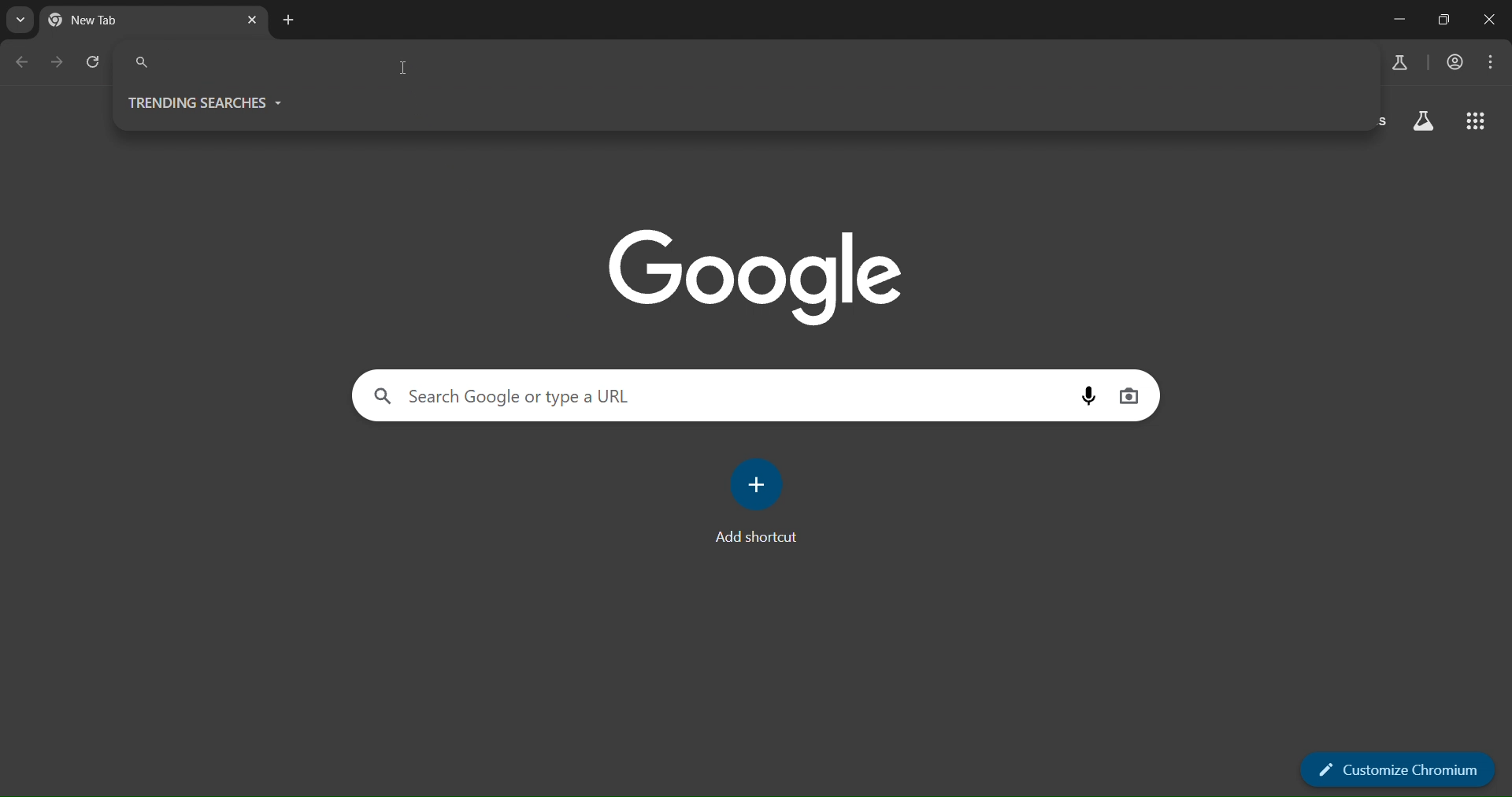  Describe the element at coordinates (759, 486) in the screenshot. I see `add` at that location.